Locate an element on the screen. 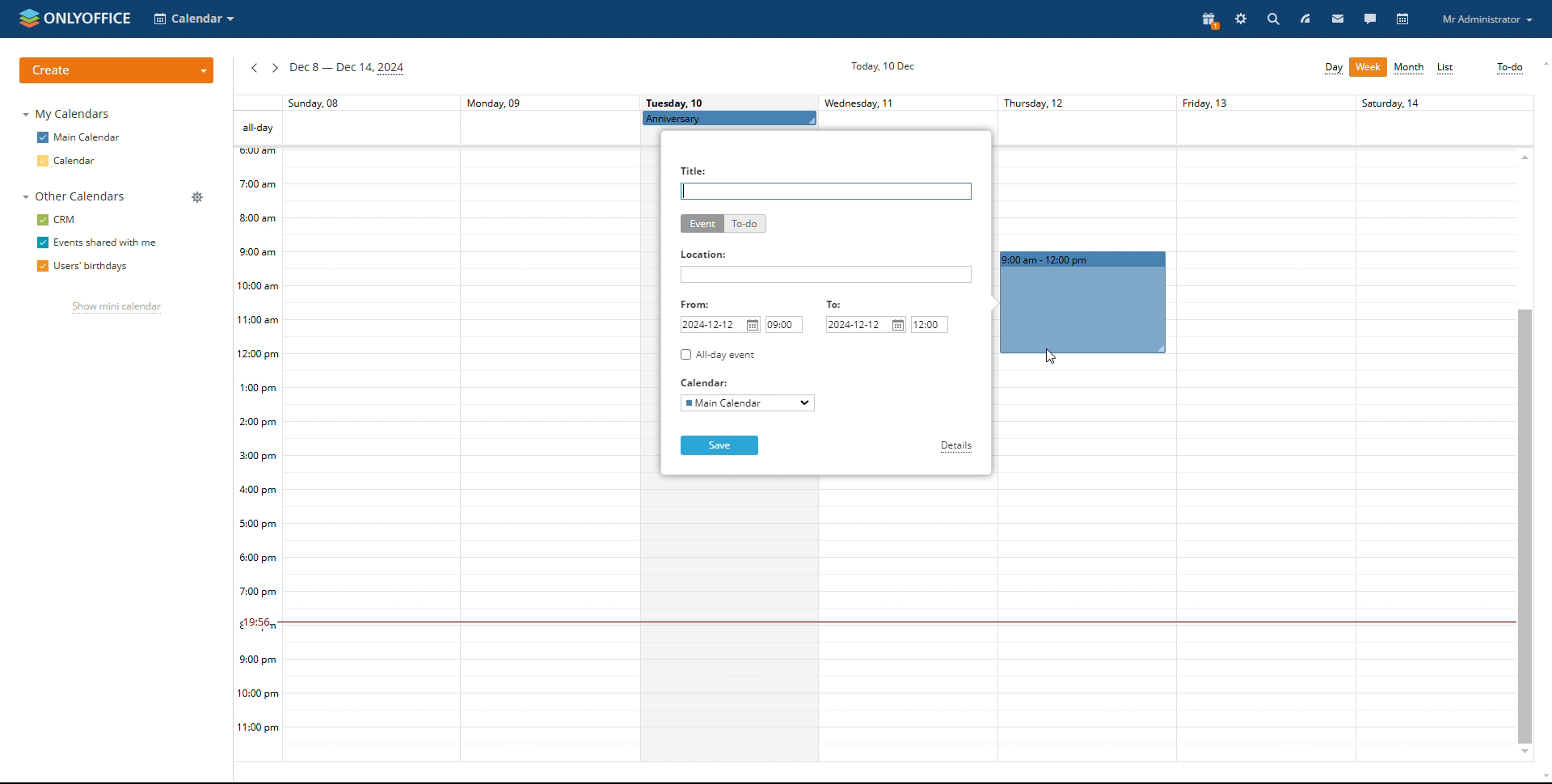 This screenshot has width=1552, height=784. Wednesday, 11 is located at coordinates (871, 103).